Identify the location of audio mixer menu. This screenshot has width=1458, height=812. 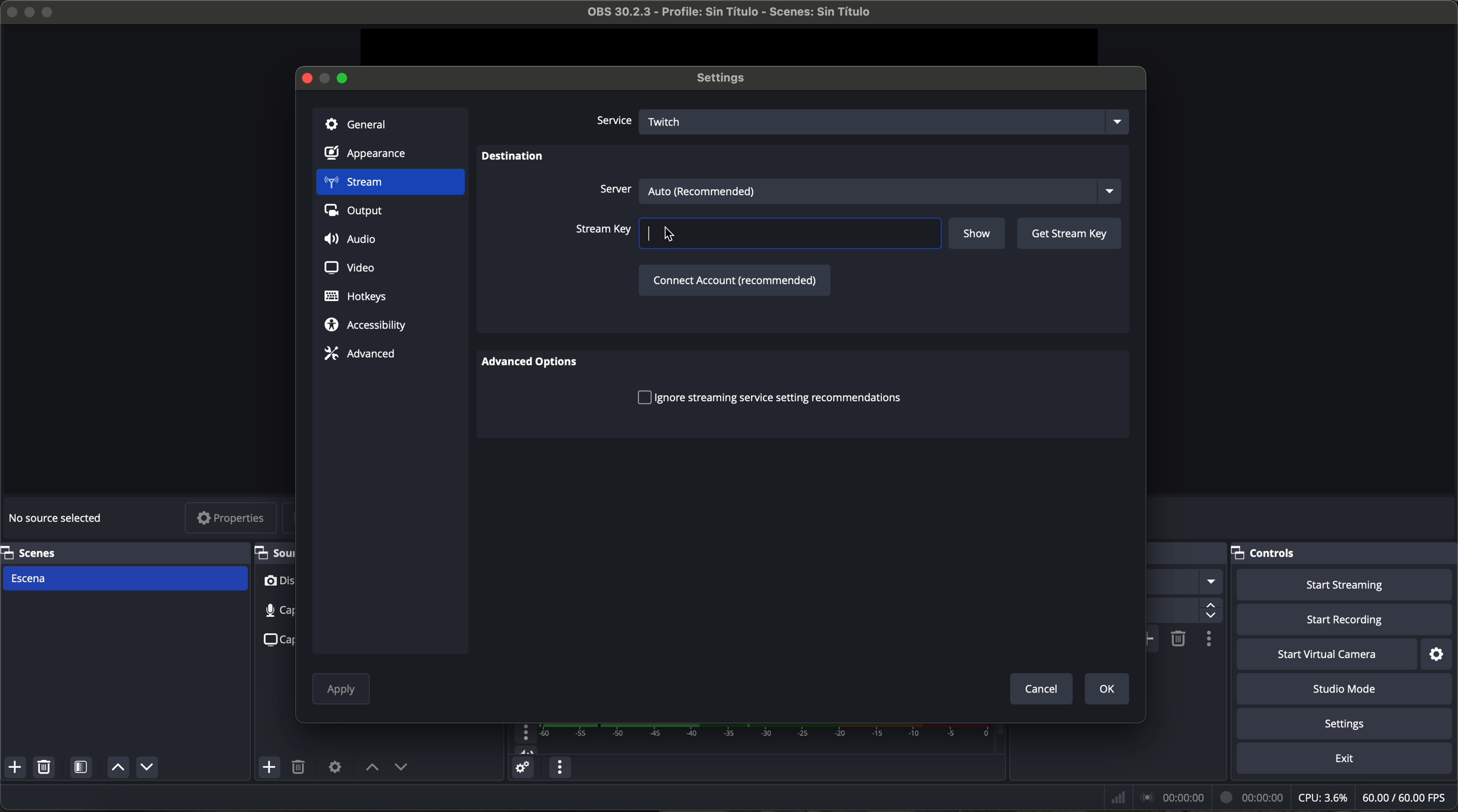
(558, 768).